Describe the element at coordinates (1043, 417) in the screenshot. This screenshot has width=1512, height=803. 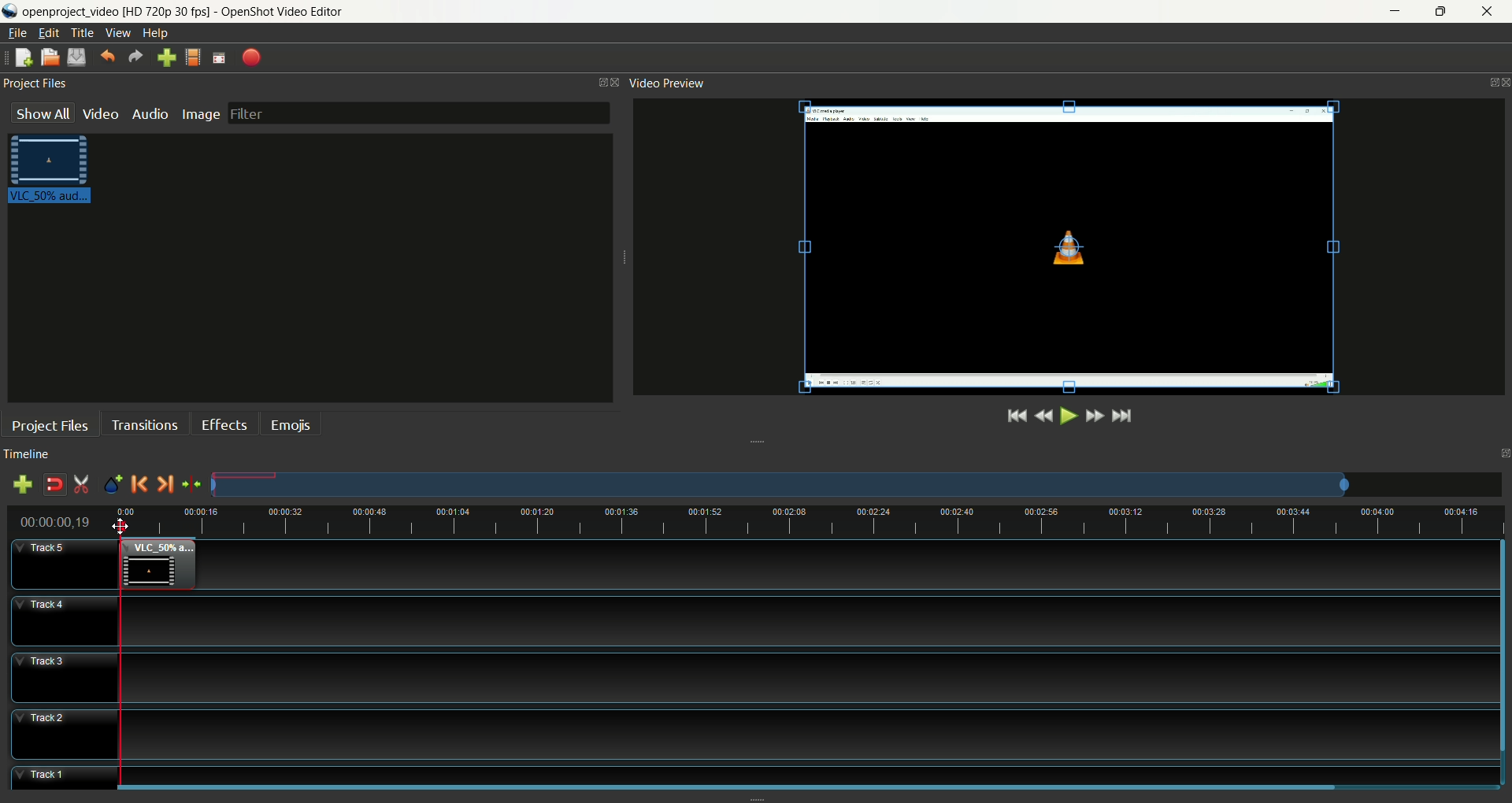
I see `rewind` at that location.